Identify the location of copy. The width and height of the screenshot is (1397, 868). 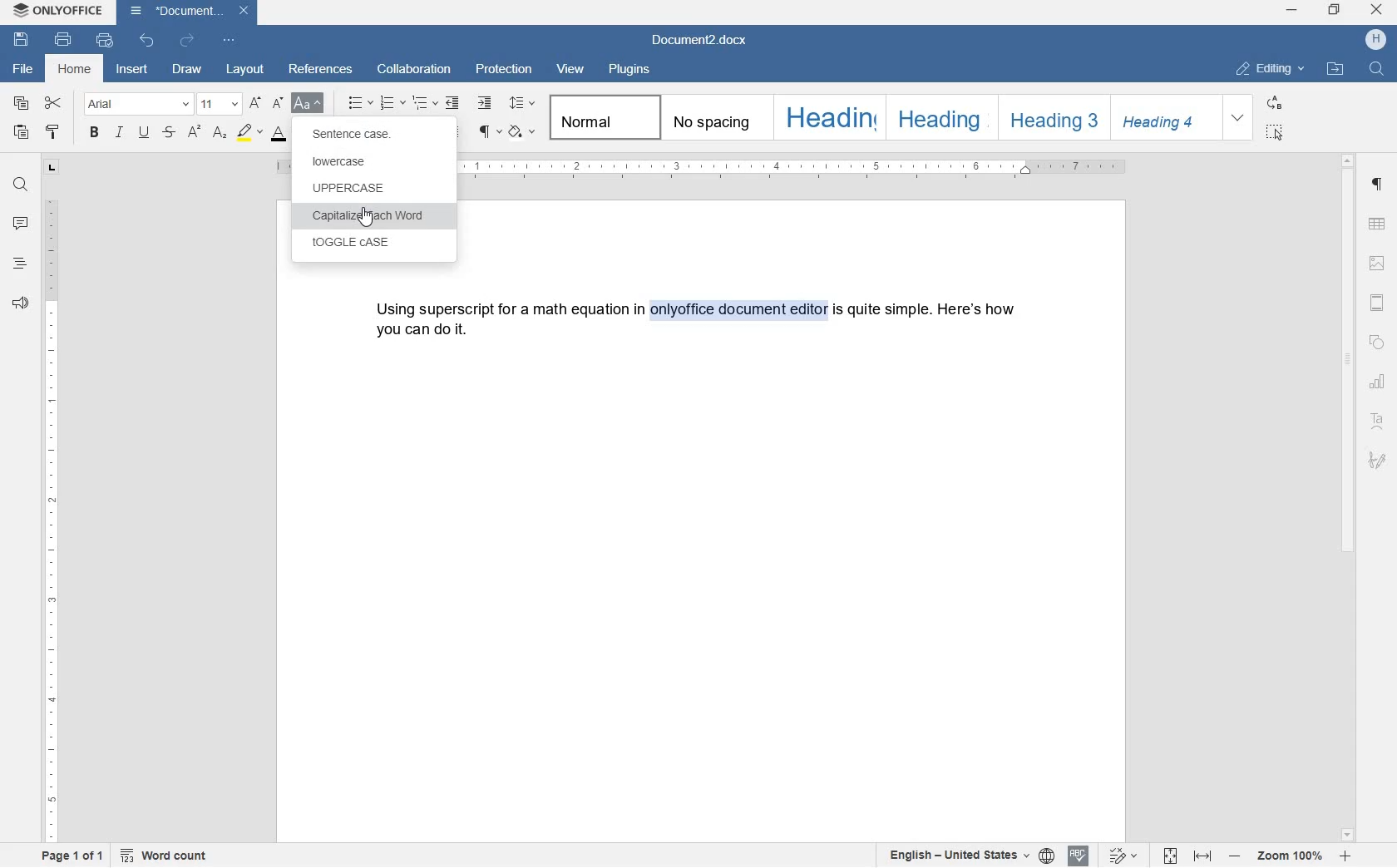
(22, 104).